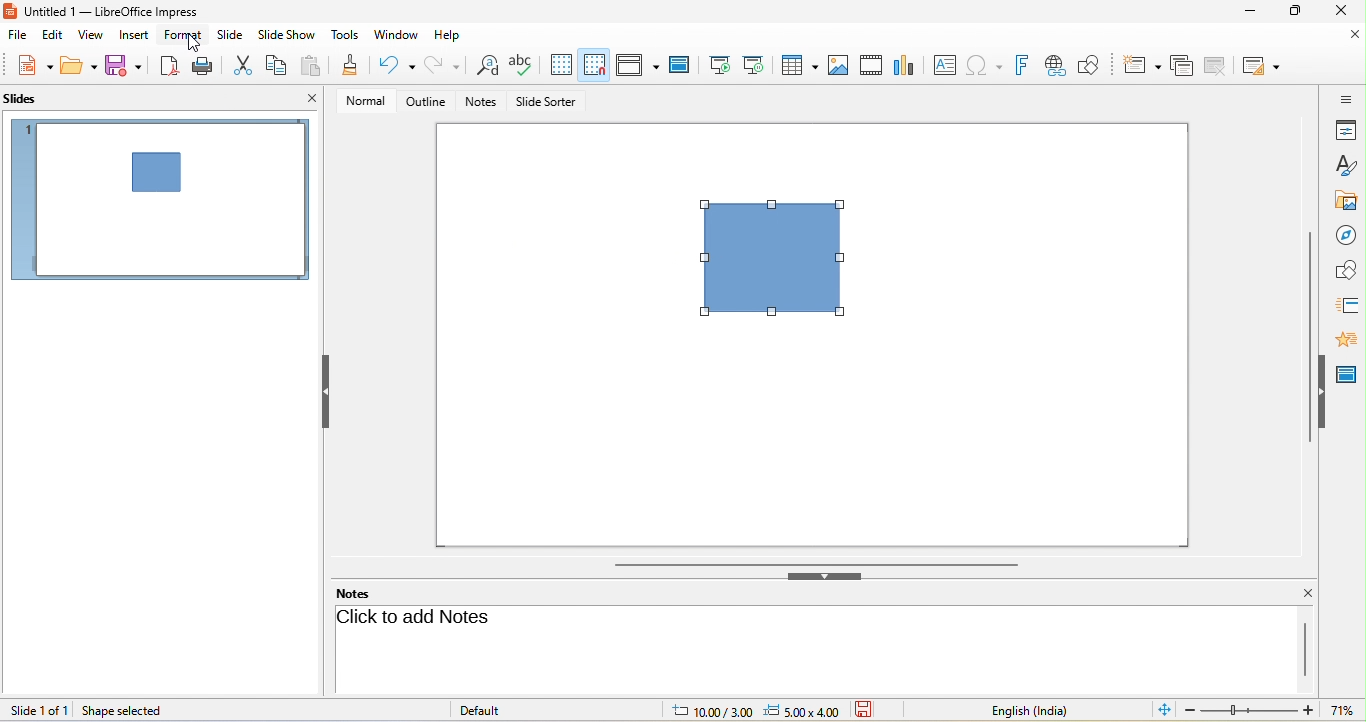  I want to click on open, so click(78, 66).